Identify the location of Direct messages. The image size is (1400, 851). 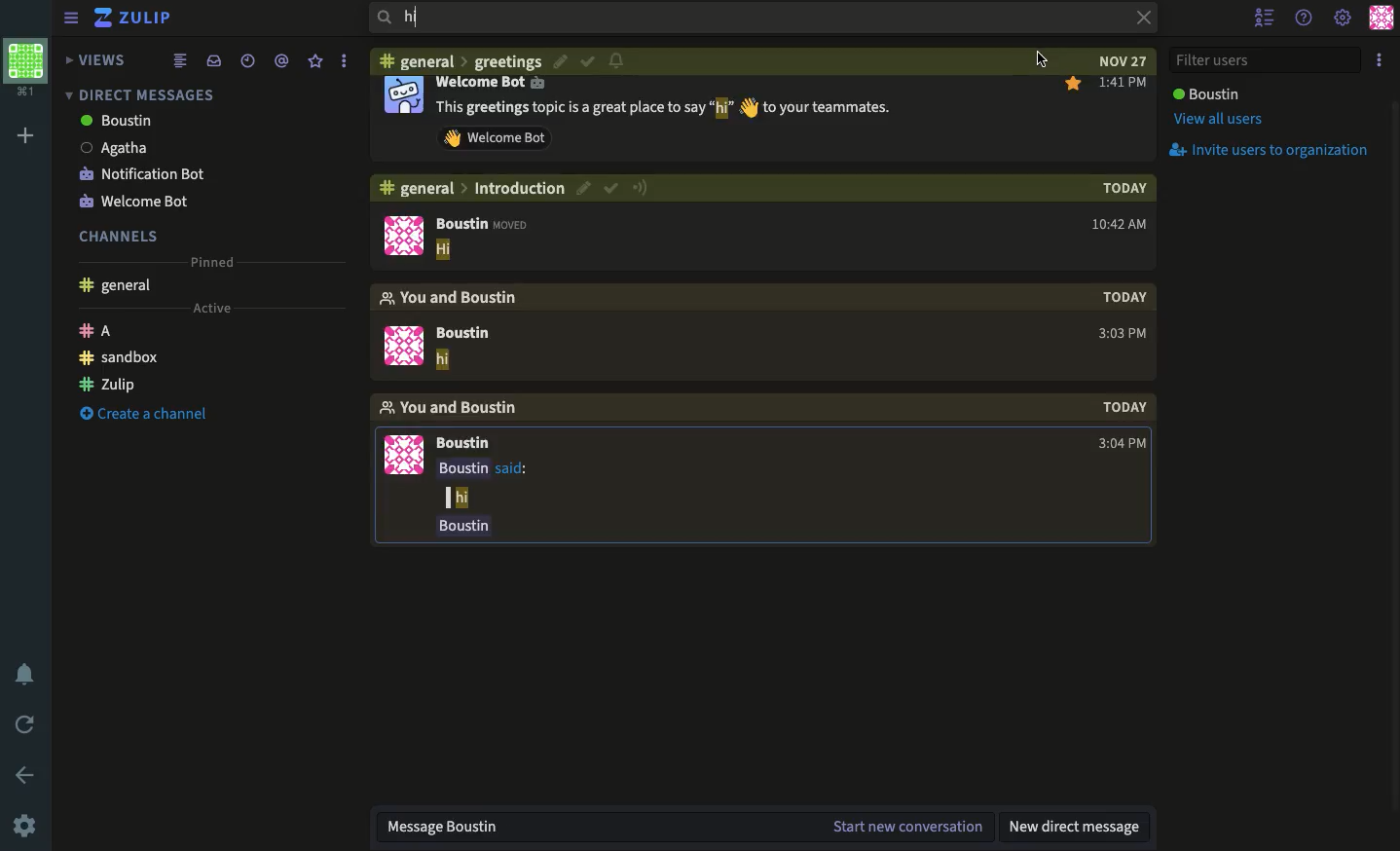
(139, 94).